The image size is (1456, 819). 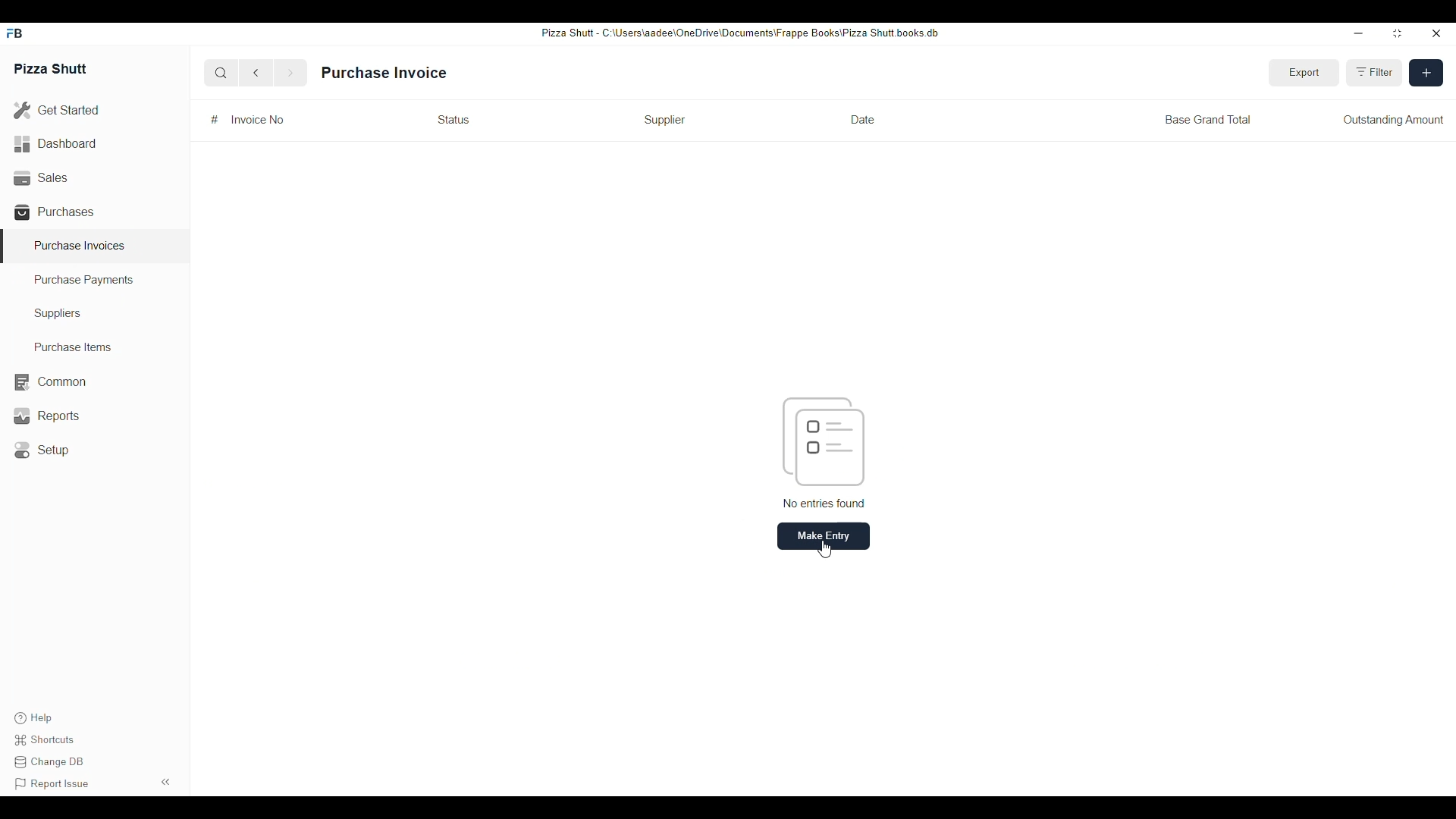 I want to click on Add, so click(x=1426, y=74).